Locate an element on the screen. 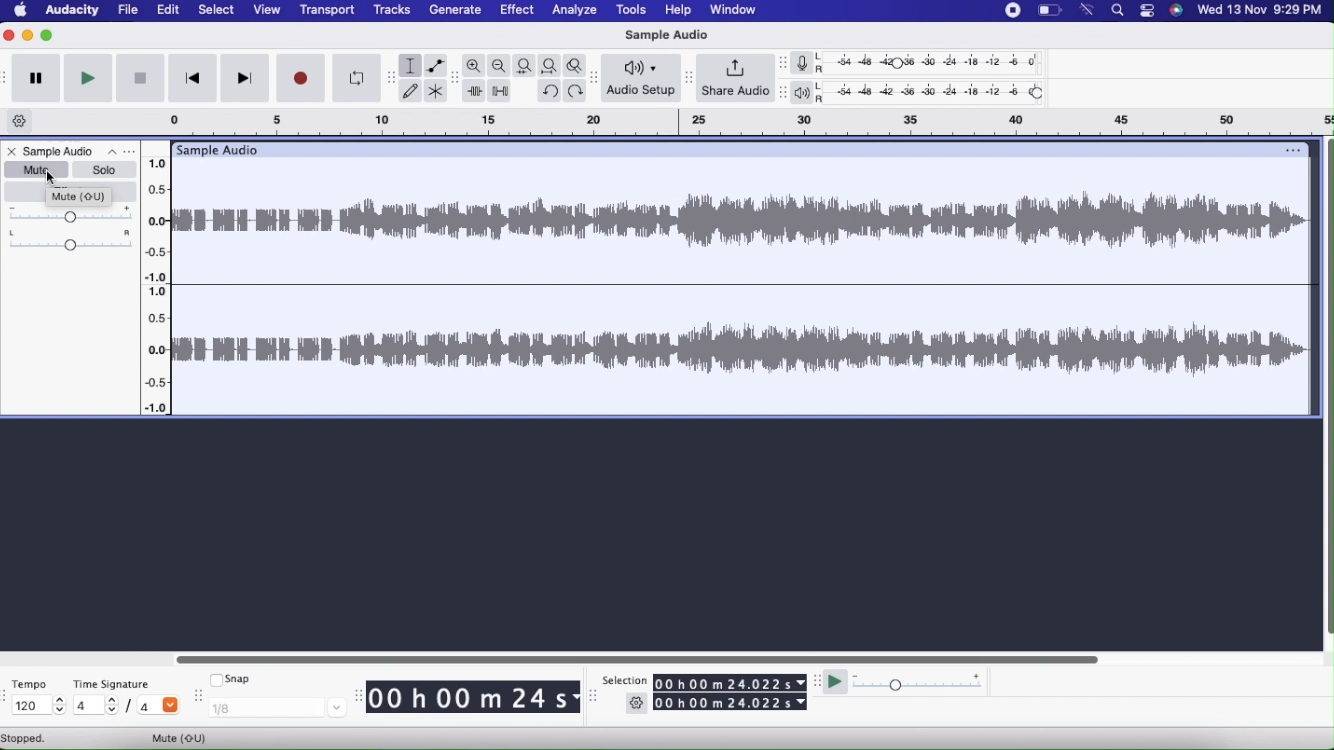 This screenshot has height=750, width=1334. Audio Setup is located at coordinates (638, 78).